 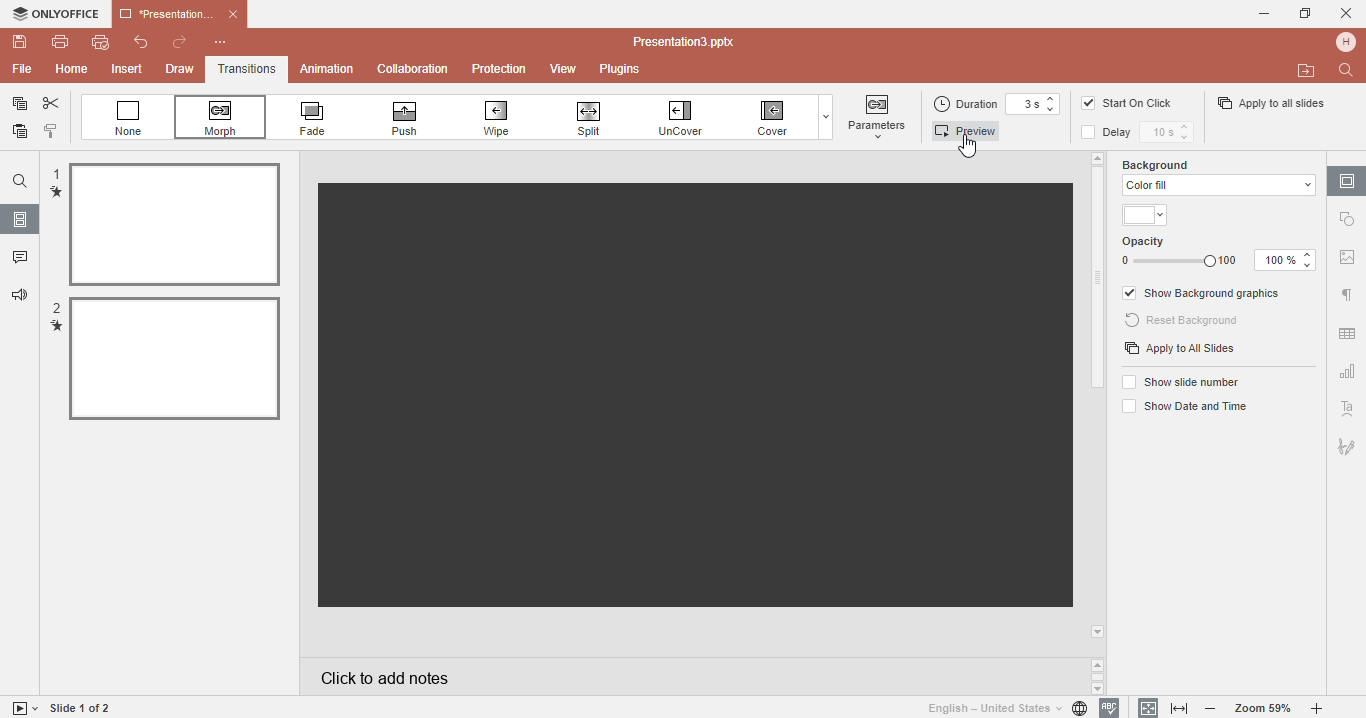 I want to click on Animation, so click(x=326, y=68).